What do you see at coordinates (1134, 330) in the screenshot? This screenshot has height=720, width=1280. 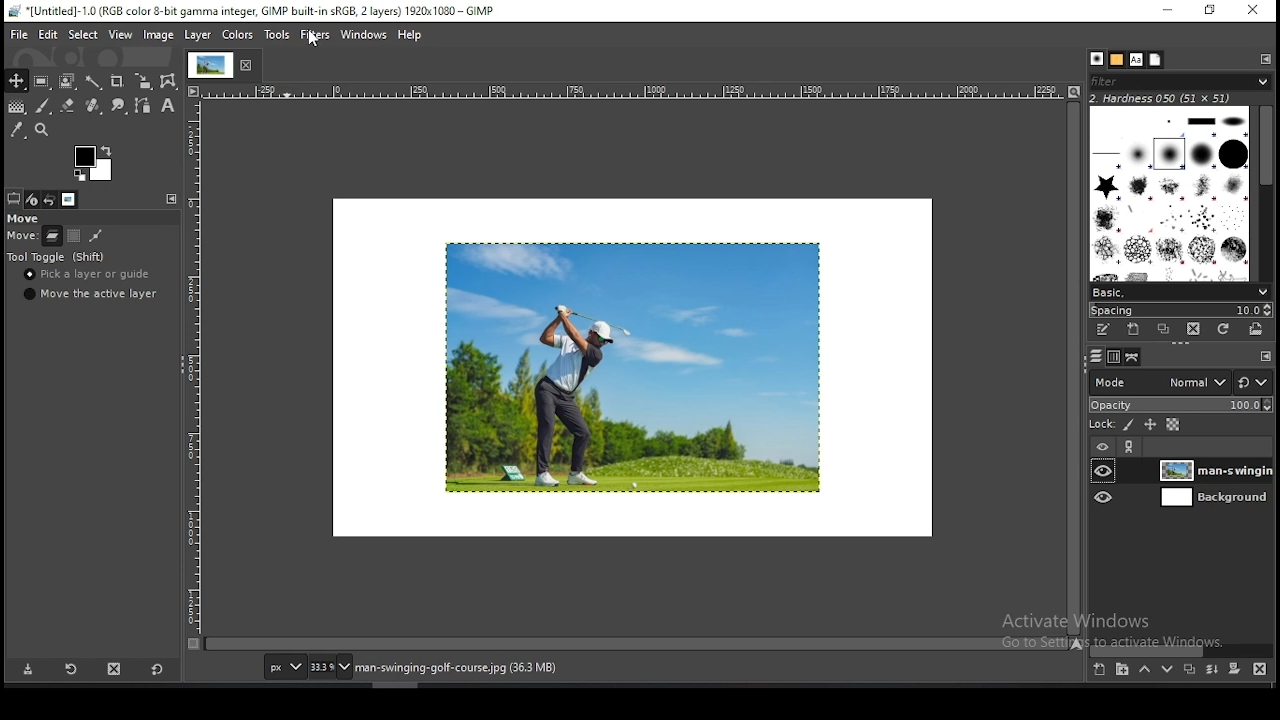 I see `create a new brush` at bounding box center [1134, 330].